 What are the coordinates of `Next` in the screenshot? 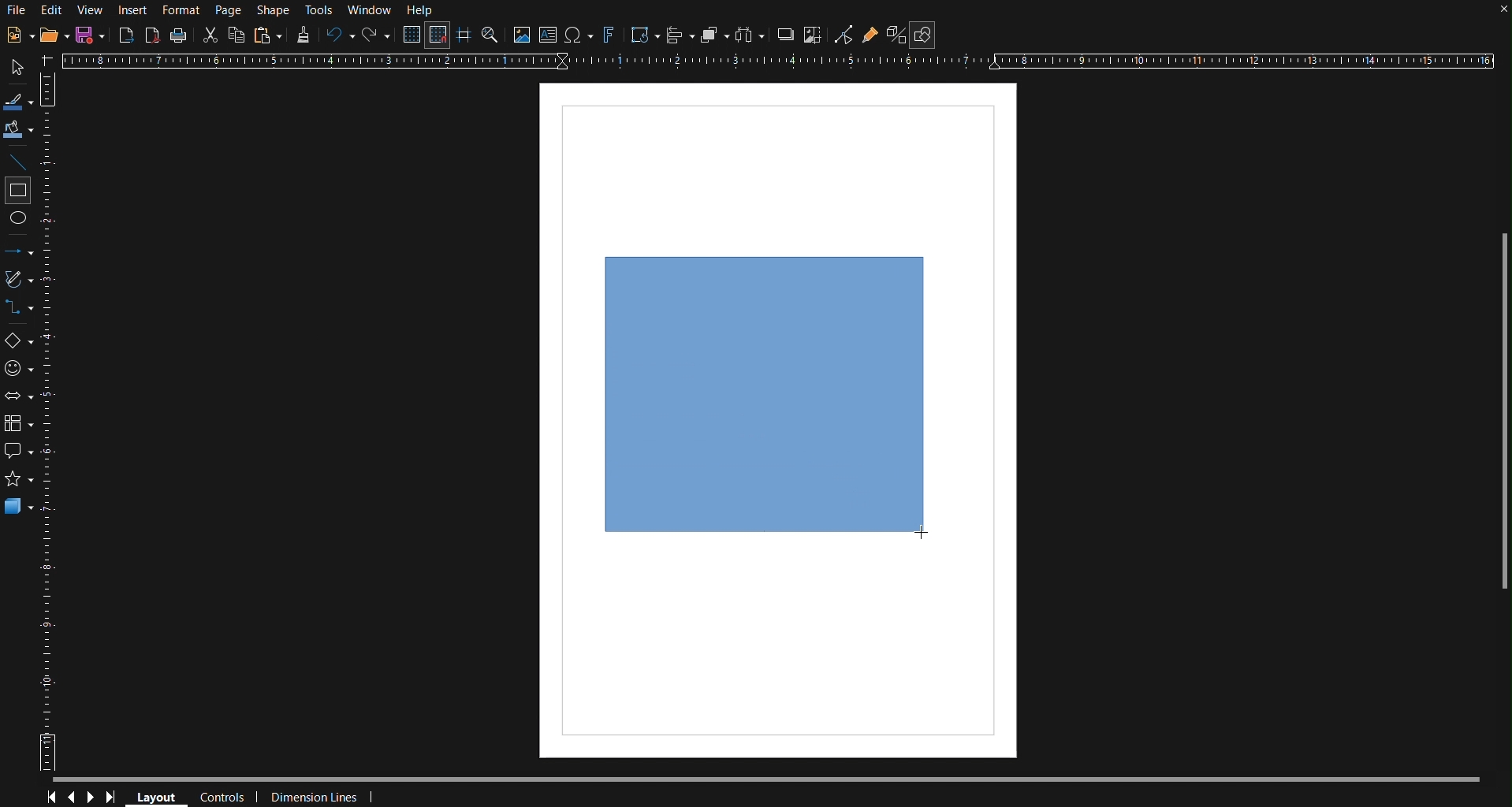 It's located at (91, 798).